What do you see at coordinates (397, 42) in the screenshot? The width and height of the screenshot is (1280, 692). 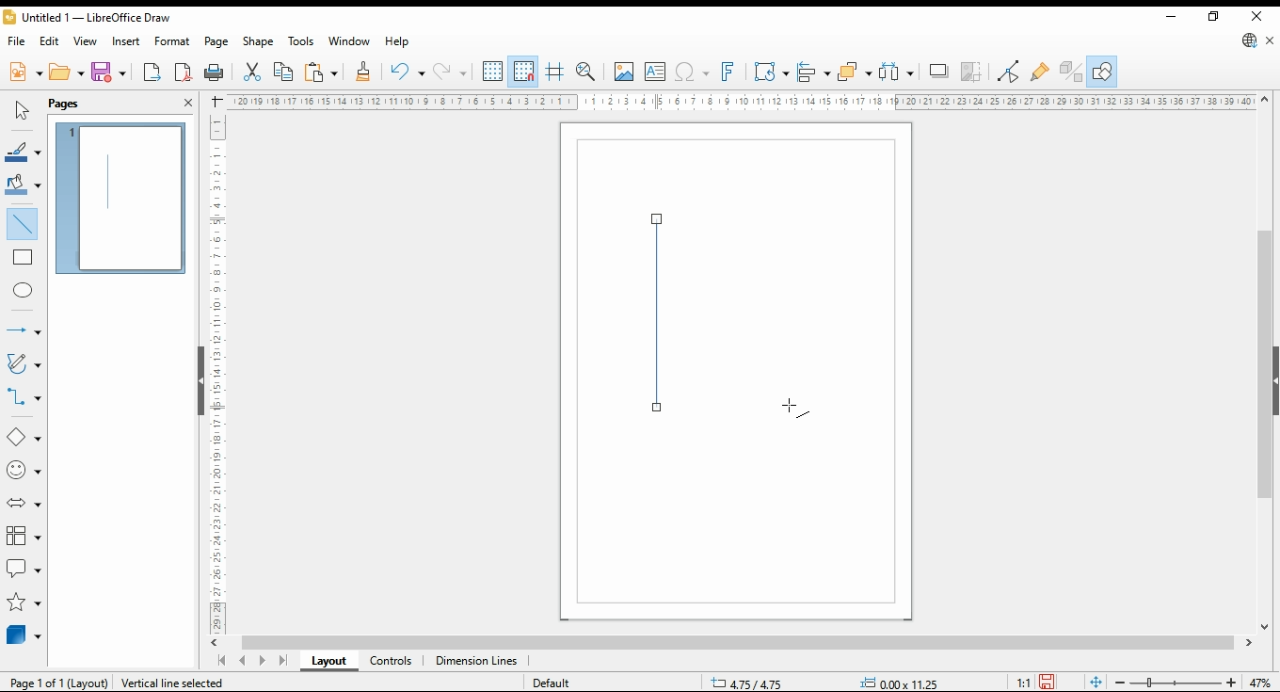 I see `help` at bounding box center [397, 42].